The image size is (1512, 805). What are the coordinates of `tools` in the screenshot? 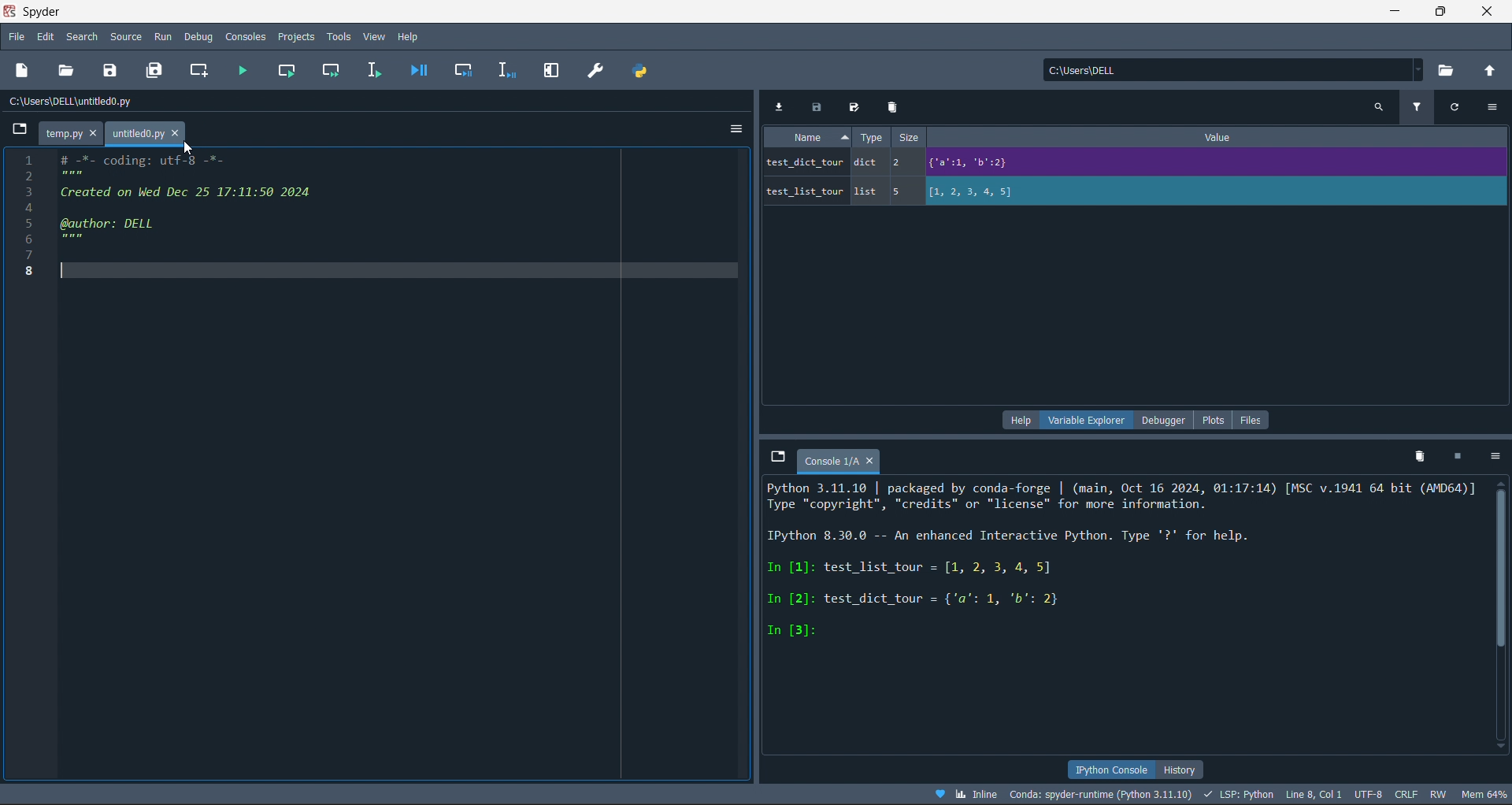 It's located at (339, 36).